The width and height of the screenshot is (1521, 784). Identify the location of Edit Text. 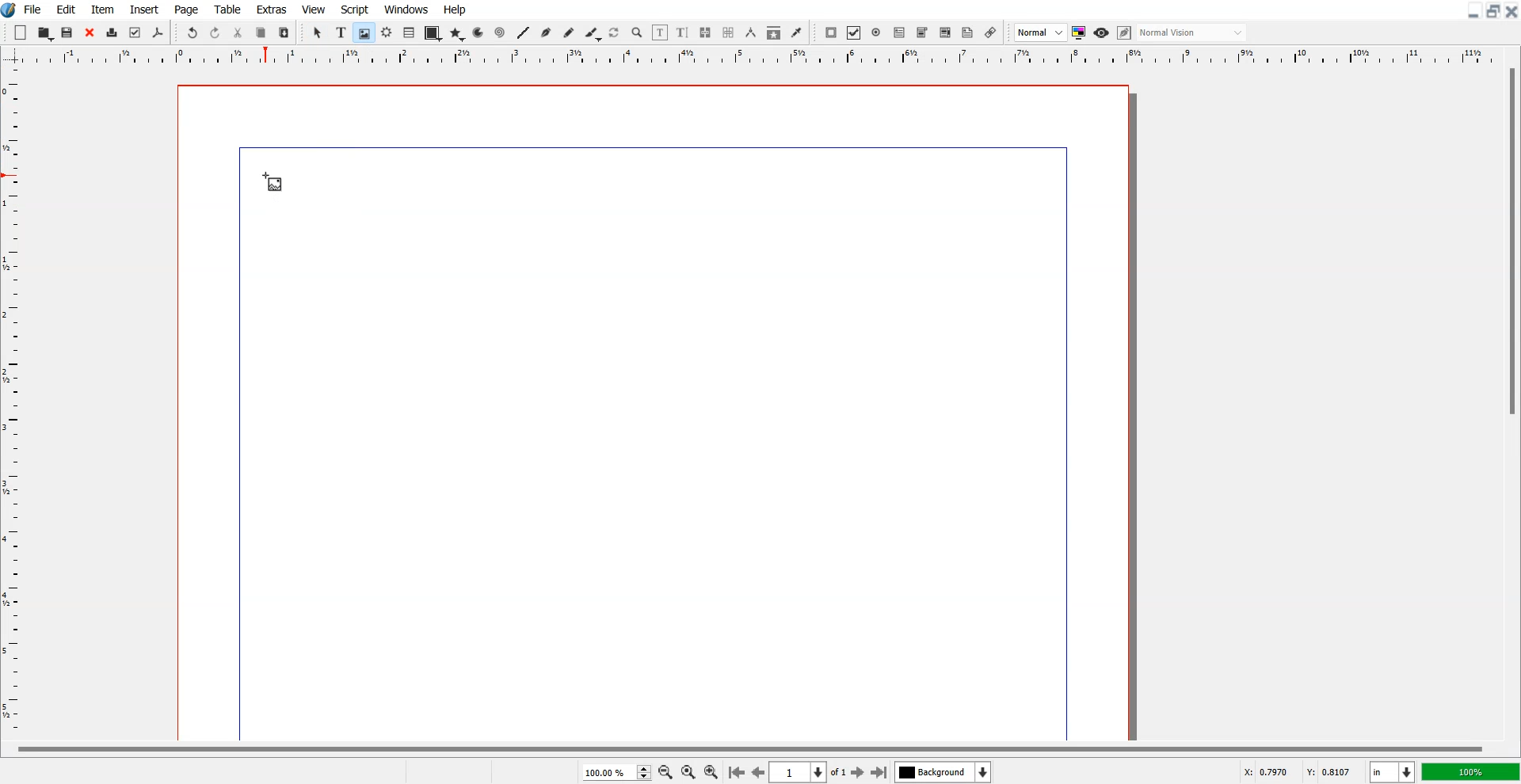
(683, 32).